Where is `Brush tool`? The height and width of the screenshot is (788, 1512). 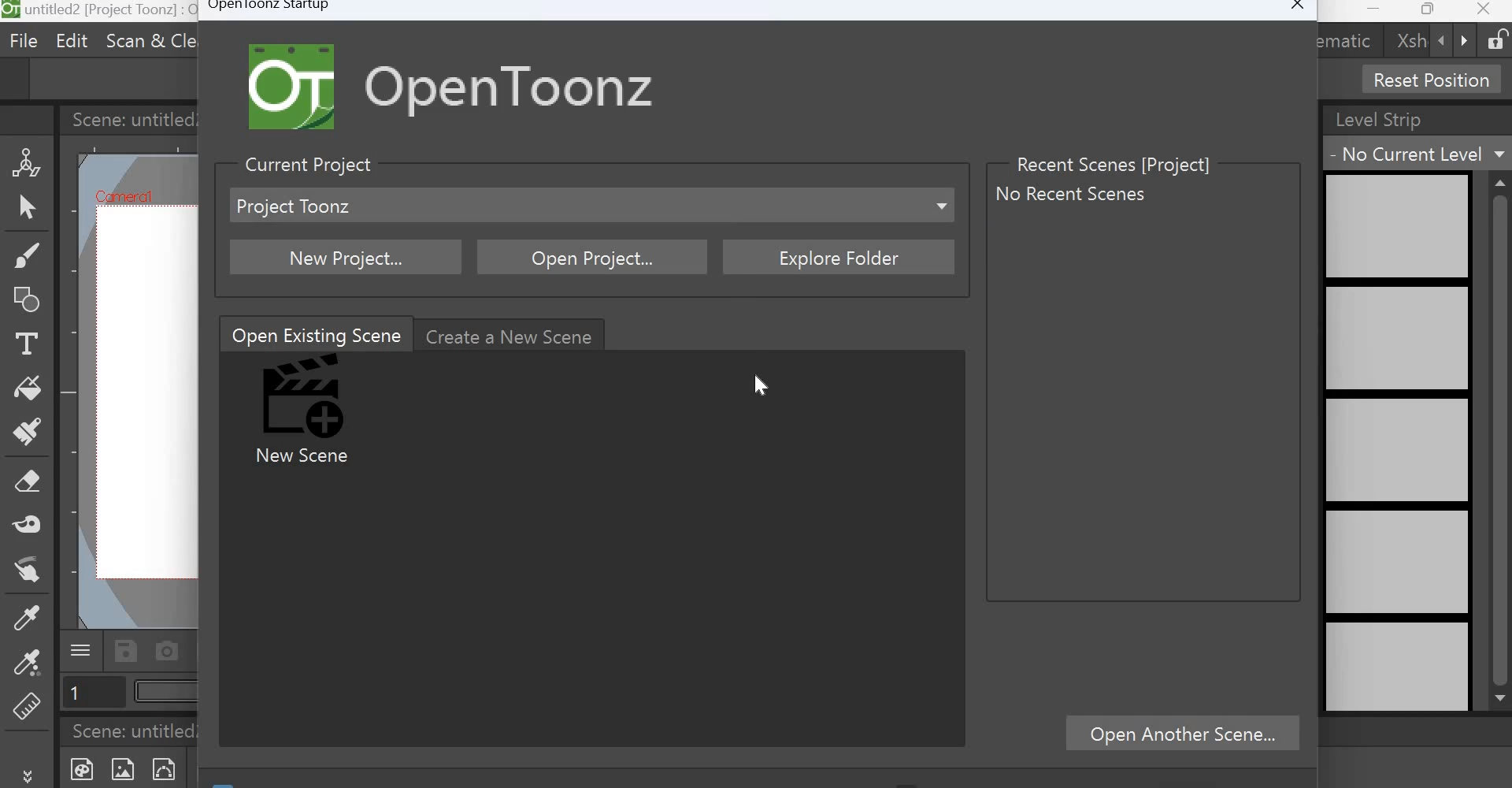
Brush tool is located at coordinates (26, 255).